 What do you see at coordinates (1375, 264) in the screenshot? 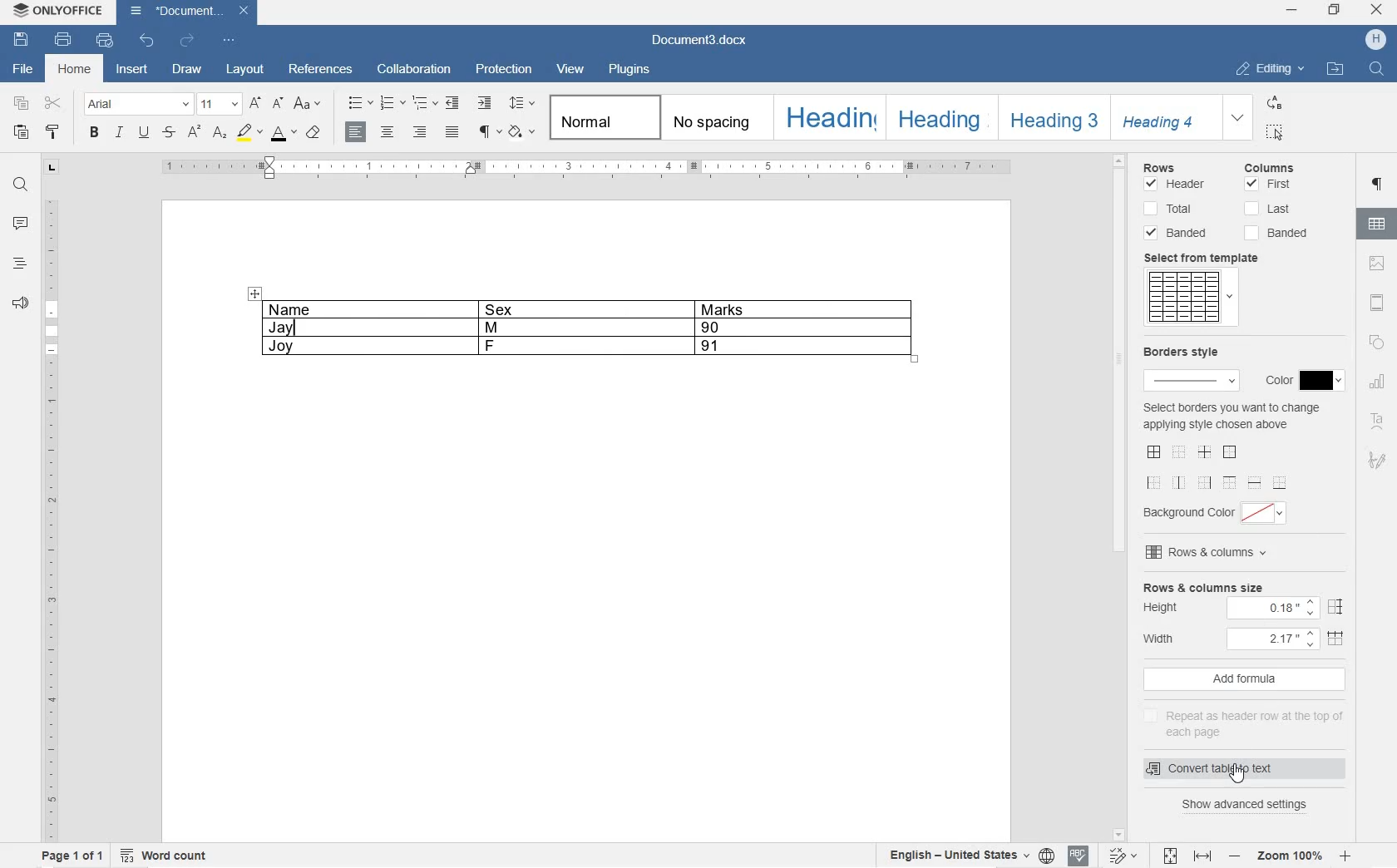
I see `IMAGE ` at bounding box center [1375, 264].